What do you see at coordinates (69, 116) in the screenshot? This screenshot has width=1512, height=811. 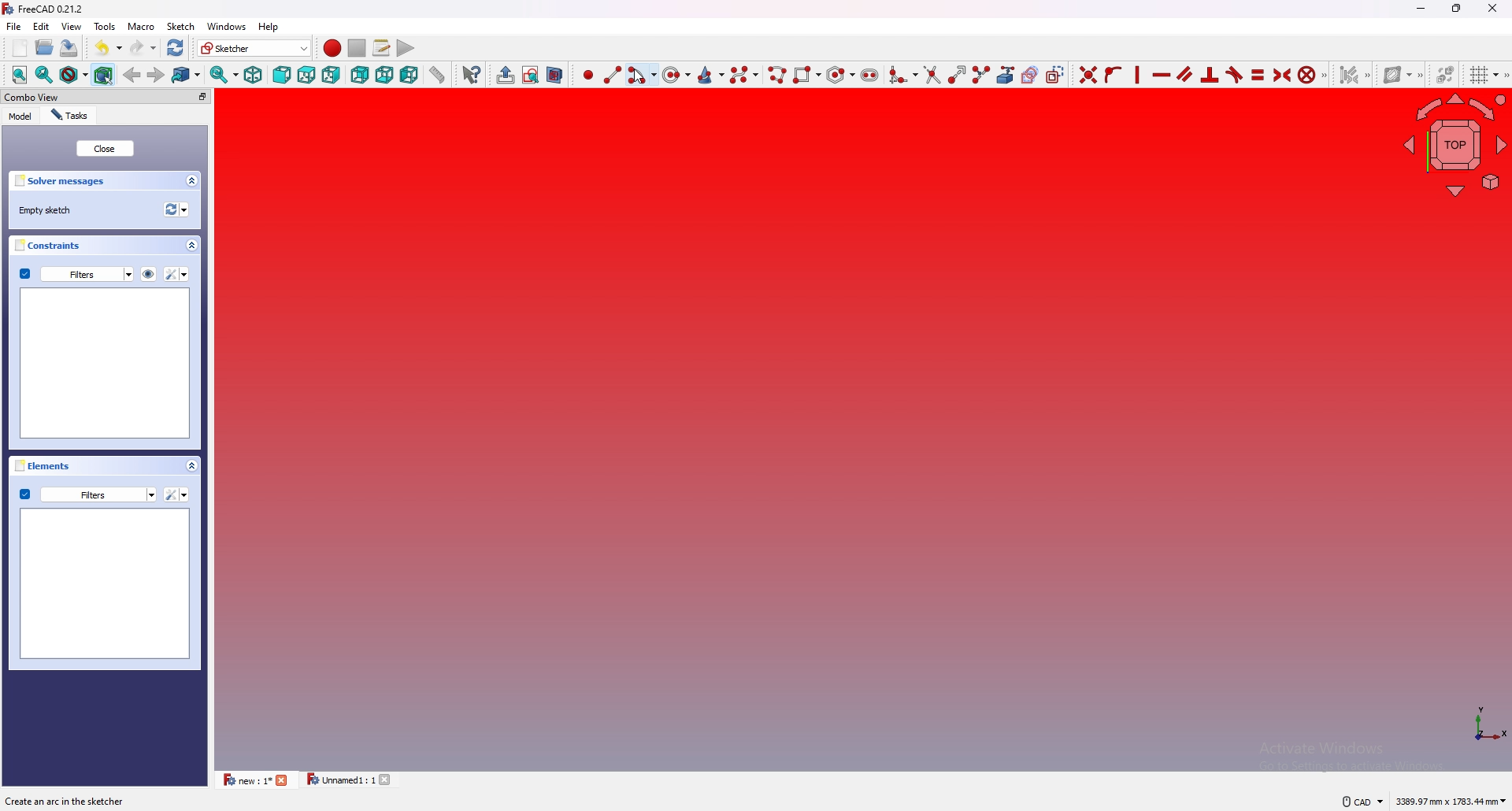 I see `tasks` at bounding box center [69, 116].